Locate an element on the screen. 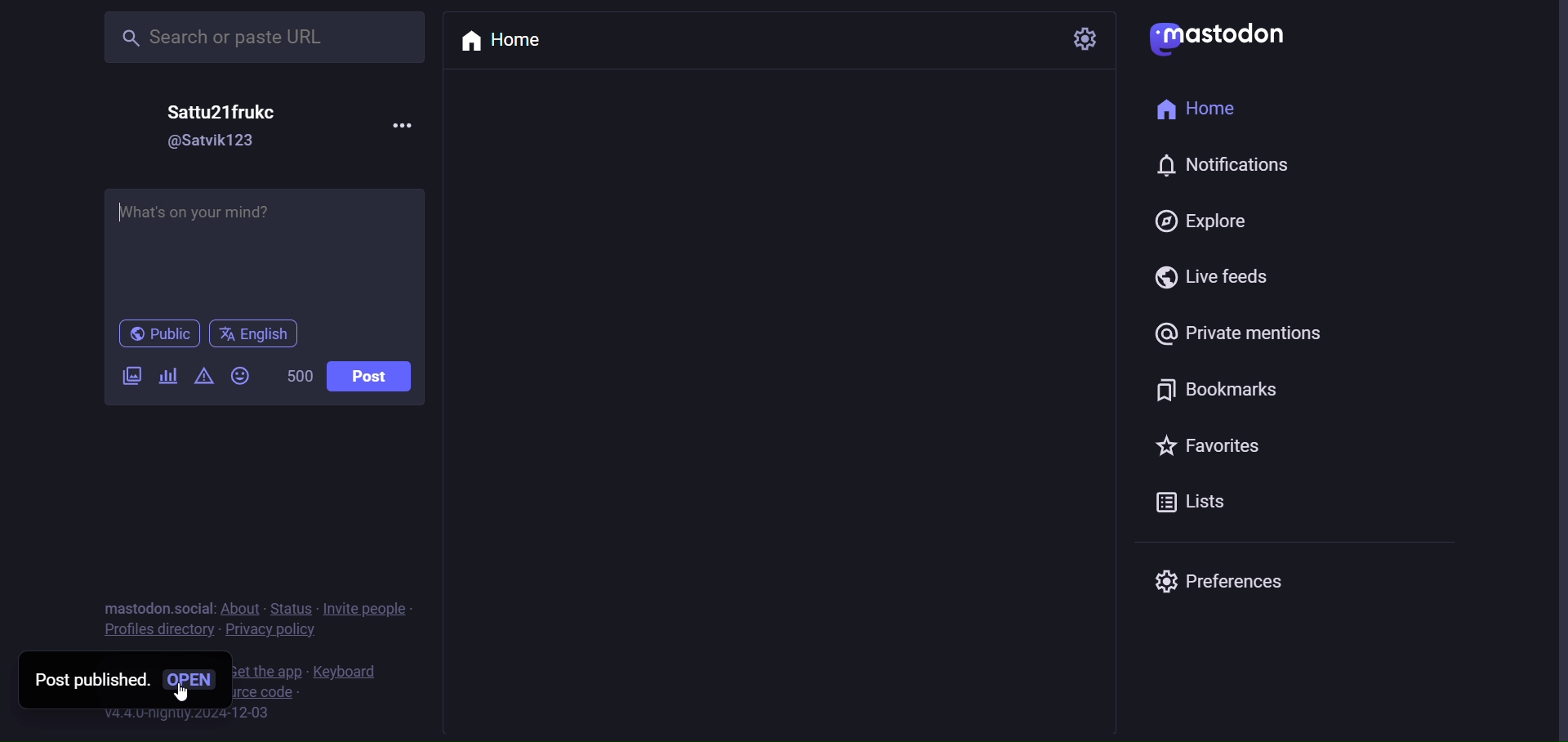  poll is located at coordinates (164, 377).